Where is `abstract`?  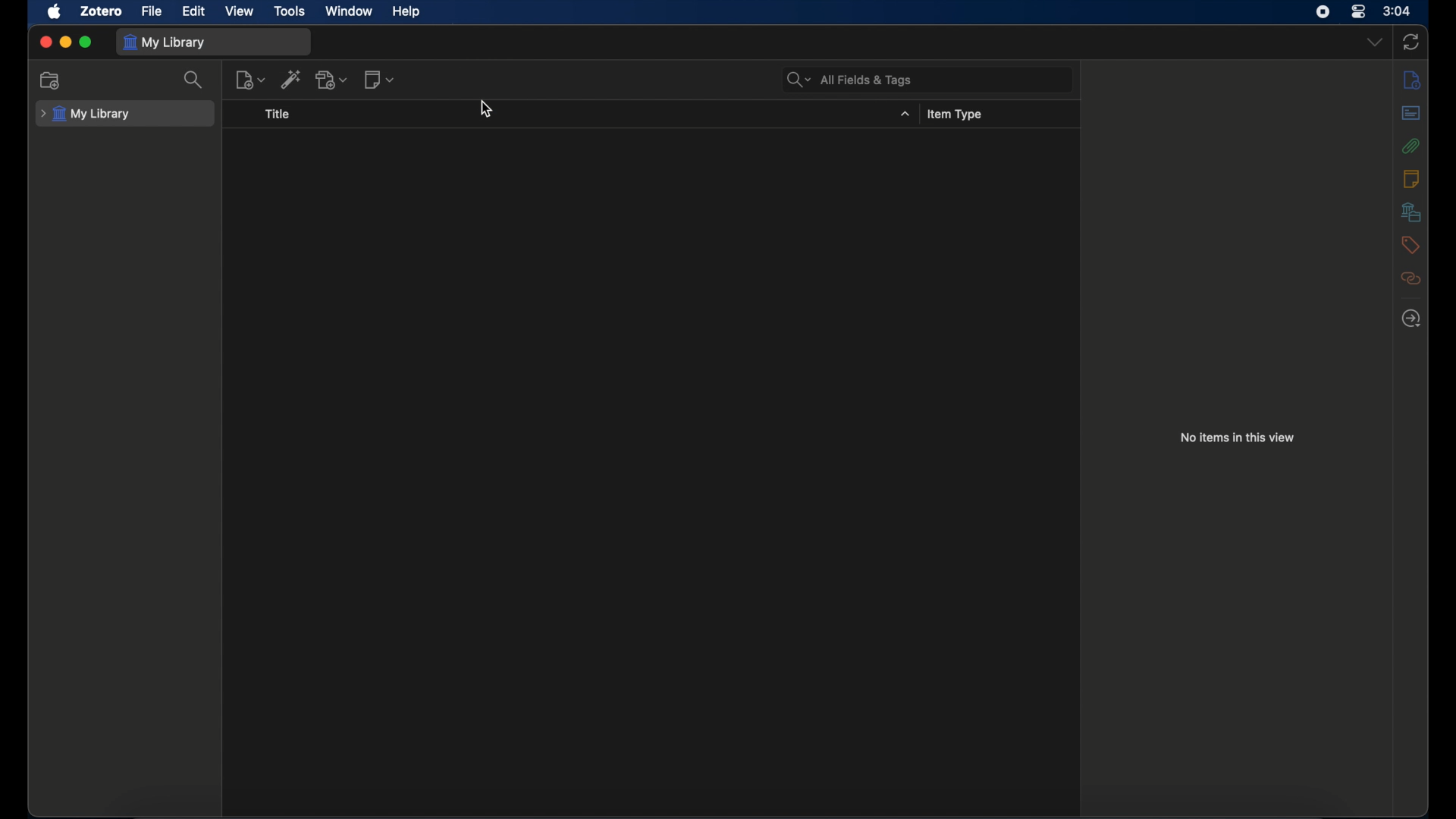 abstract is located at coordinates (1410, 112).